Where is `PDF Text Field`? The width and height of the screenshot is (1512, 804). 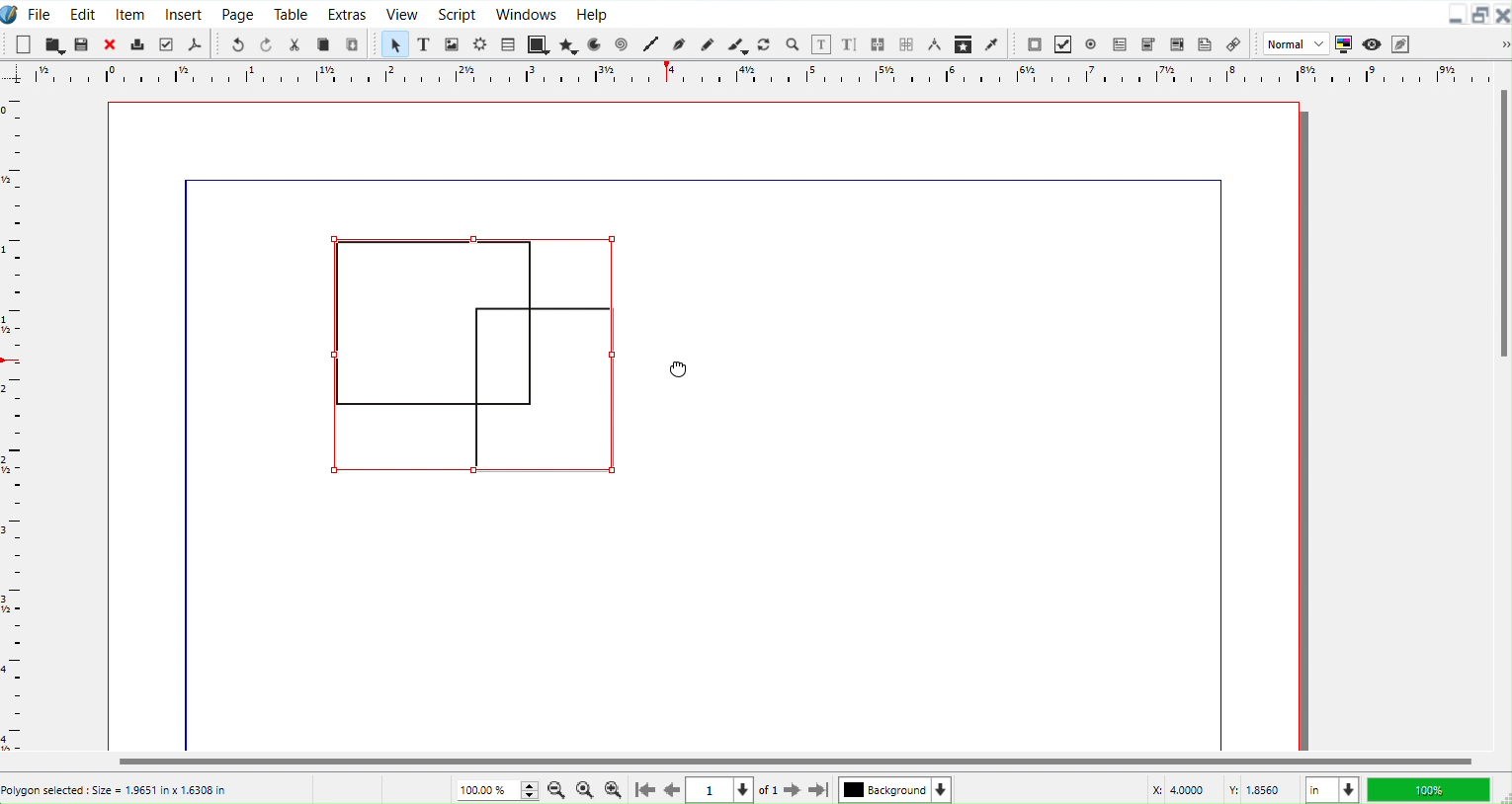
PDF Text Field is located at coordinates (1120, 43).